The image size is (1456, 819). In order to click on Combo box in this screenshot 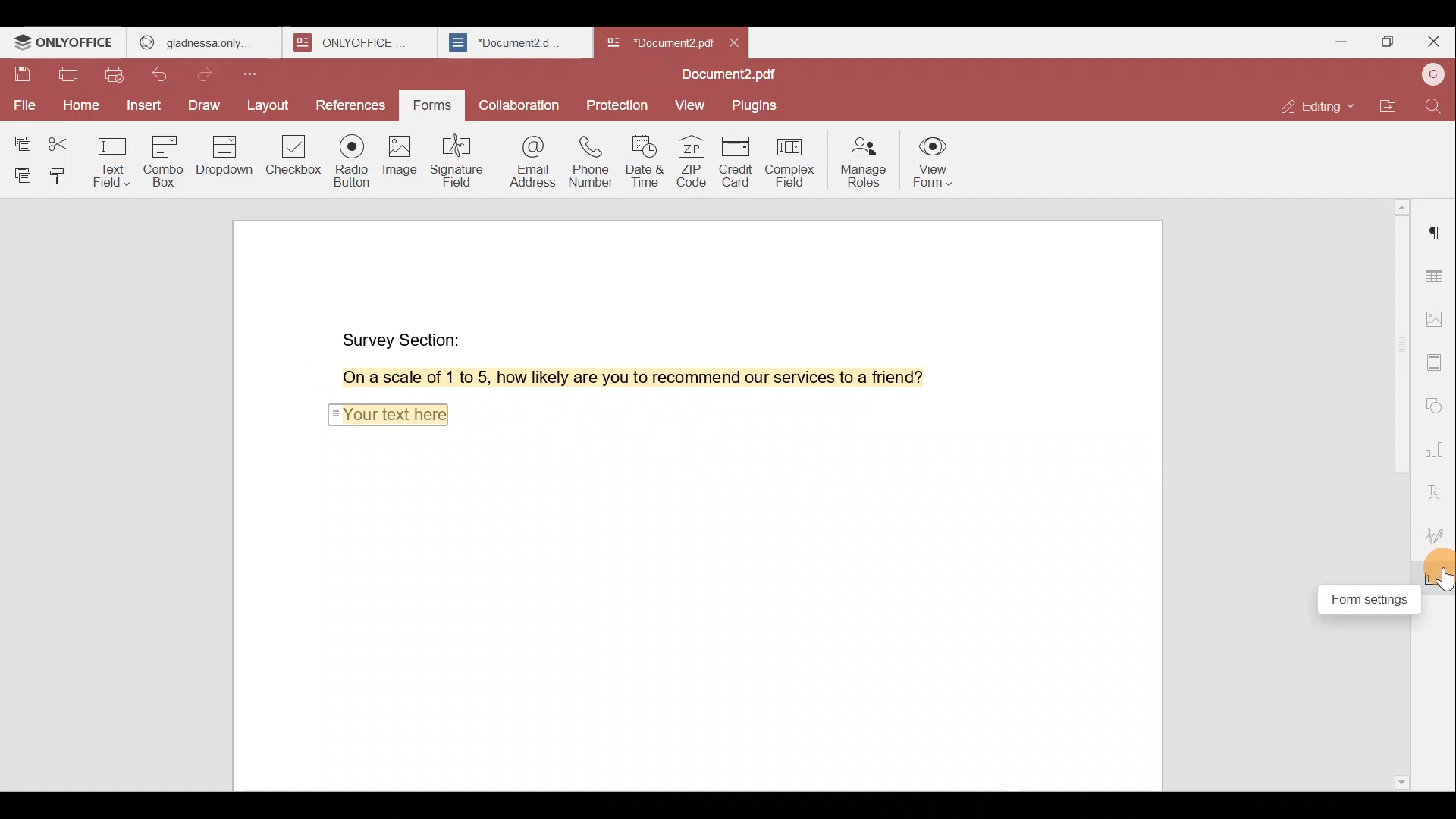, I will do `click(169, 158)`.